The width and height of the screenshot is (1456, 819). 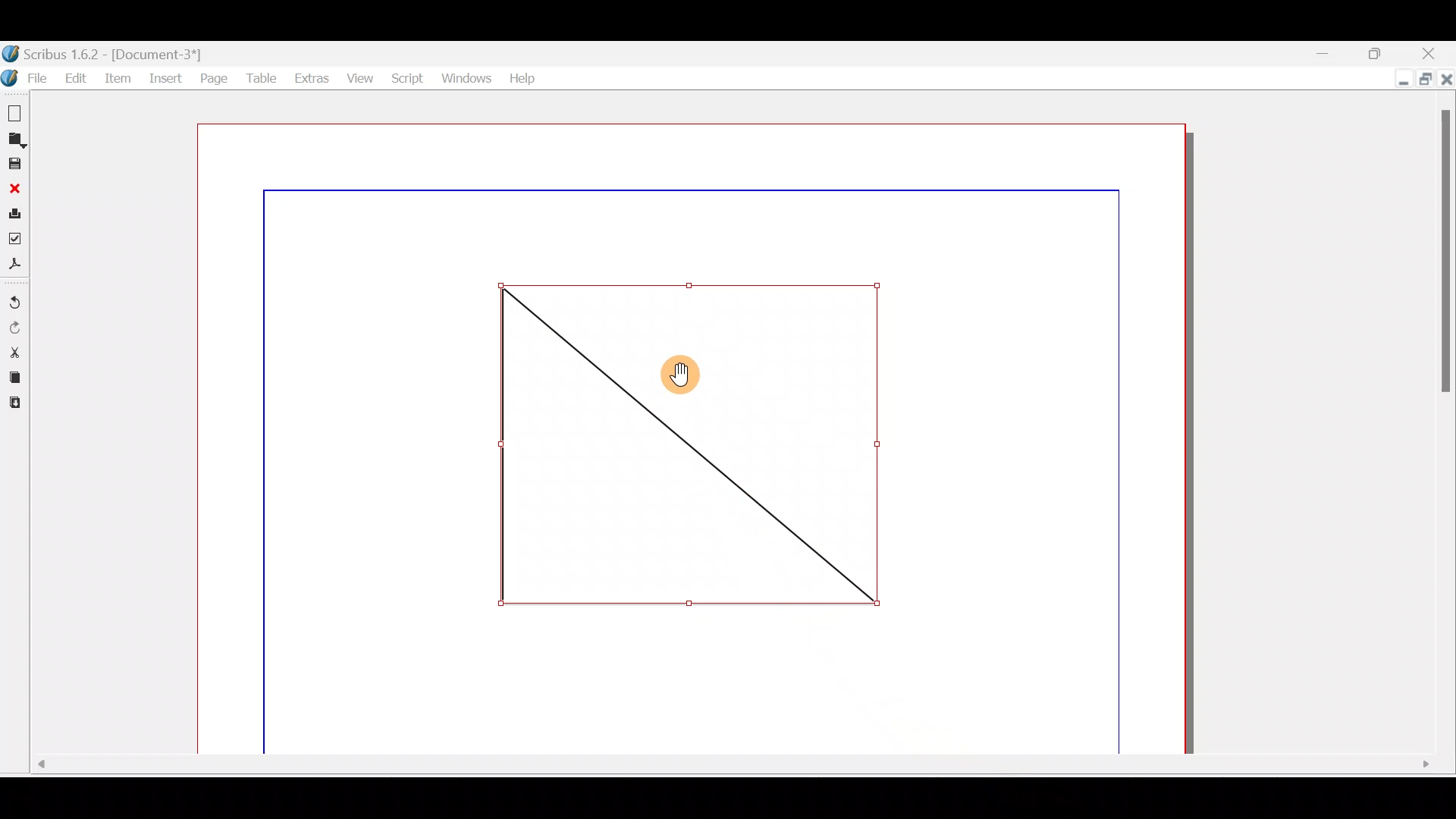 I want to click on Maximise, so click(x=1382, y=52).